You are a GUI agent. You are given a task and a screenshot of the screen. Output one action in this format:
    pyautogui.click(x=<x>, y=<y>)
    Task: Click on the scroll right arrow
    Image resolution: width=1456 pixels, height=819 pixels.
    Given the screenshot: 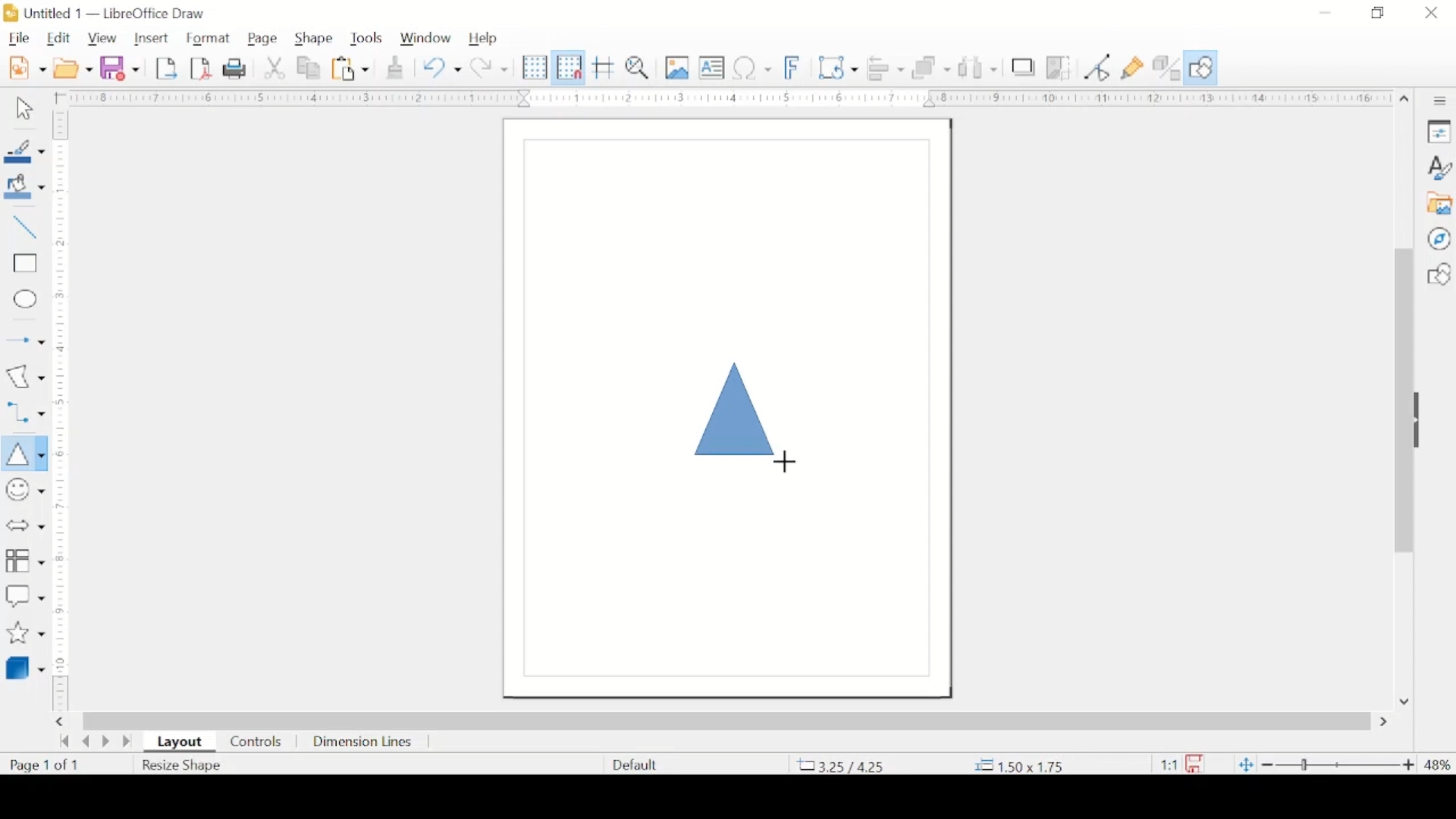 What is the action you would take?
    pyautogui.click(x=1386, y=722)
    